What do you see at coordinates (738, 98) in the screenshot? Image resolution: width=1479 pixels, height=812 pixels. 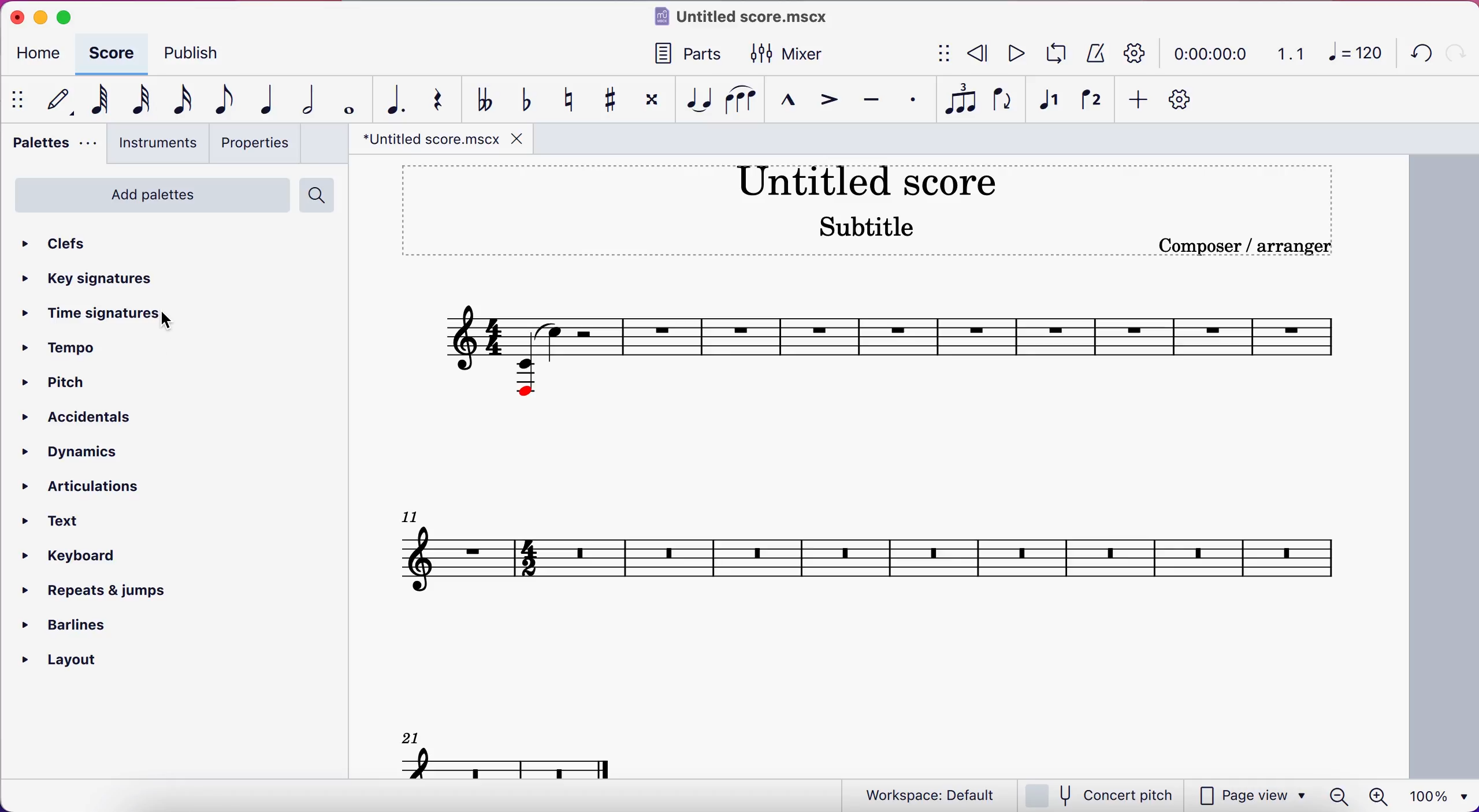 I see `slur` at bounding box center [738, 98].